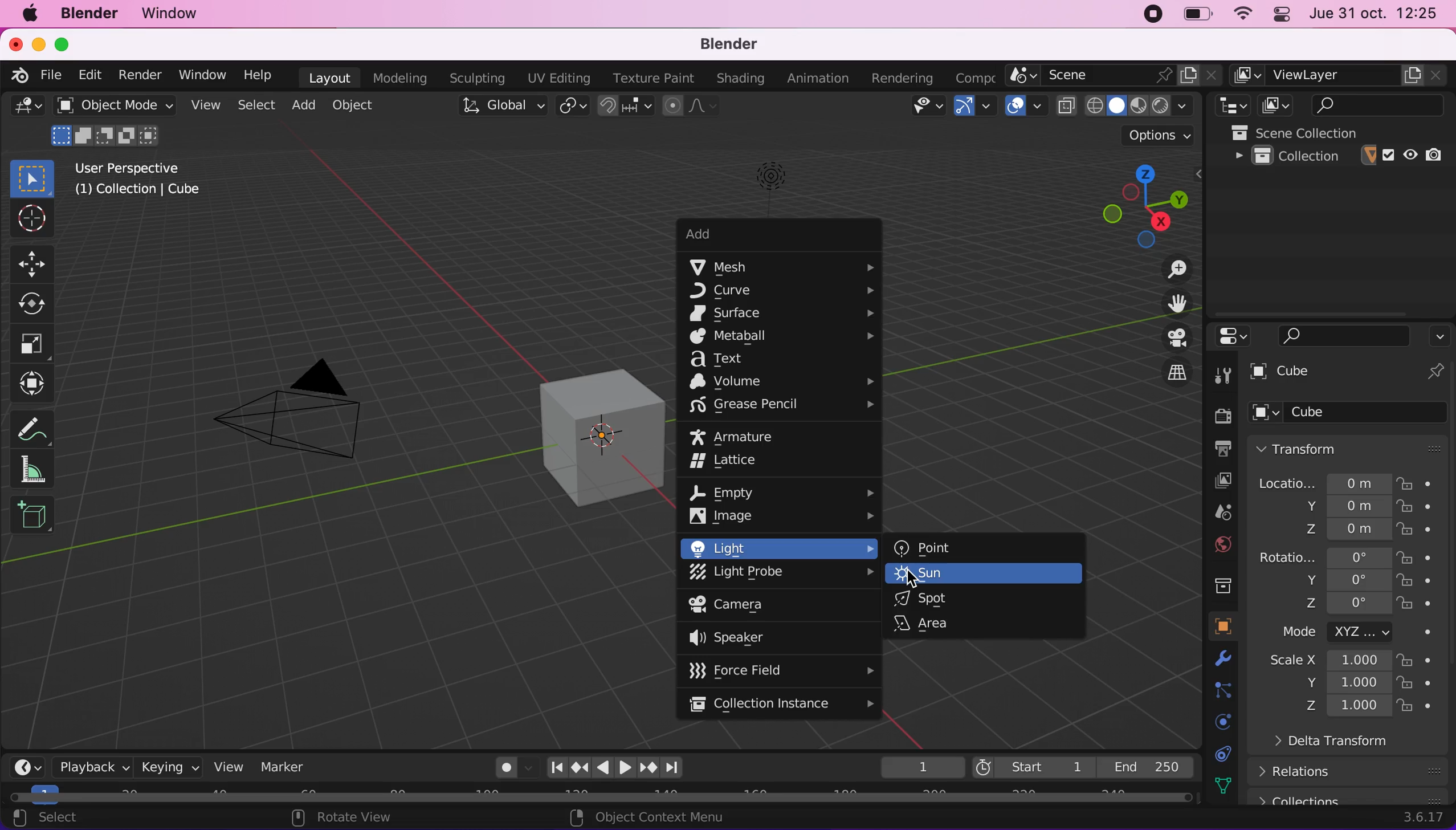 This screenshot has height=830, width=1456. What do you see at coordinates (1164, 374) in the screenshot?
I see `switch the current view` at bounding box center [1164, 374].